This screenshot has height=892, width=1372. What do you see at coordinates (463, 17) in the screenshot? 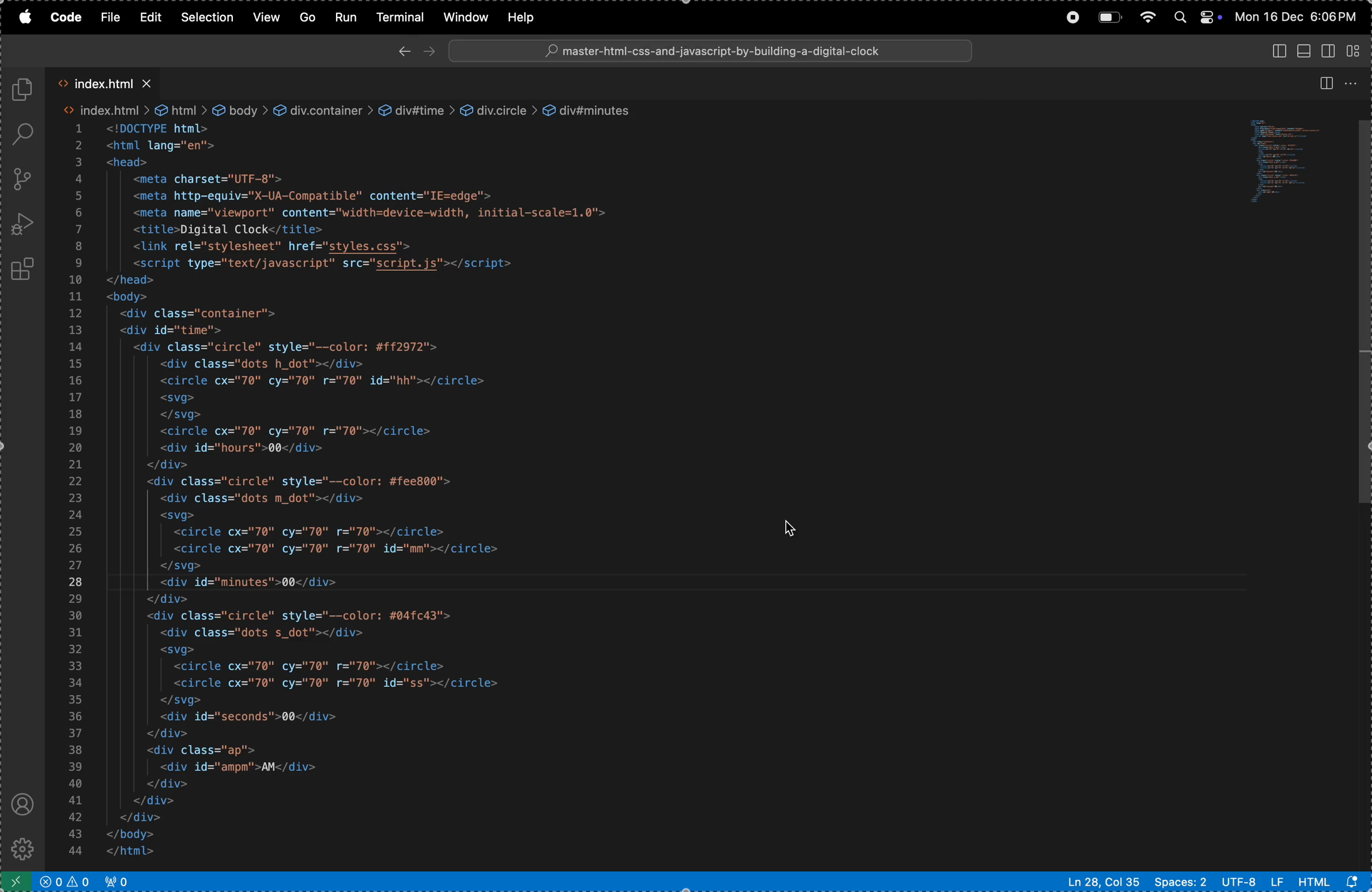
I see `window` at bounding box center [463, 17].